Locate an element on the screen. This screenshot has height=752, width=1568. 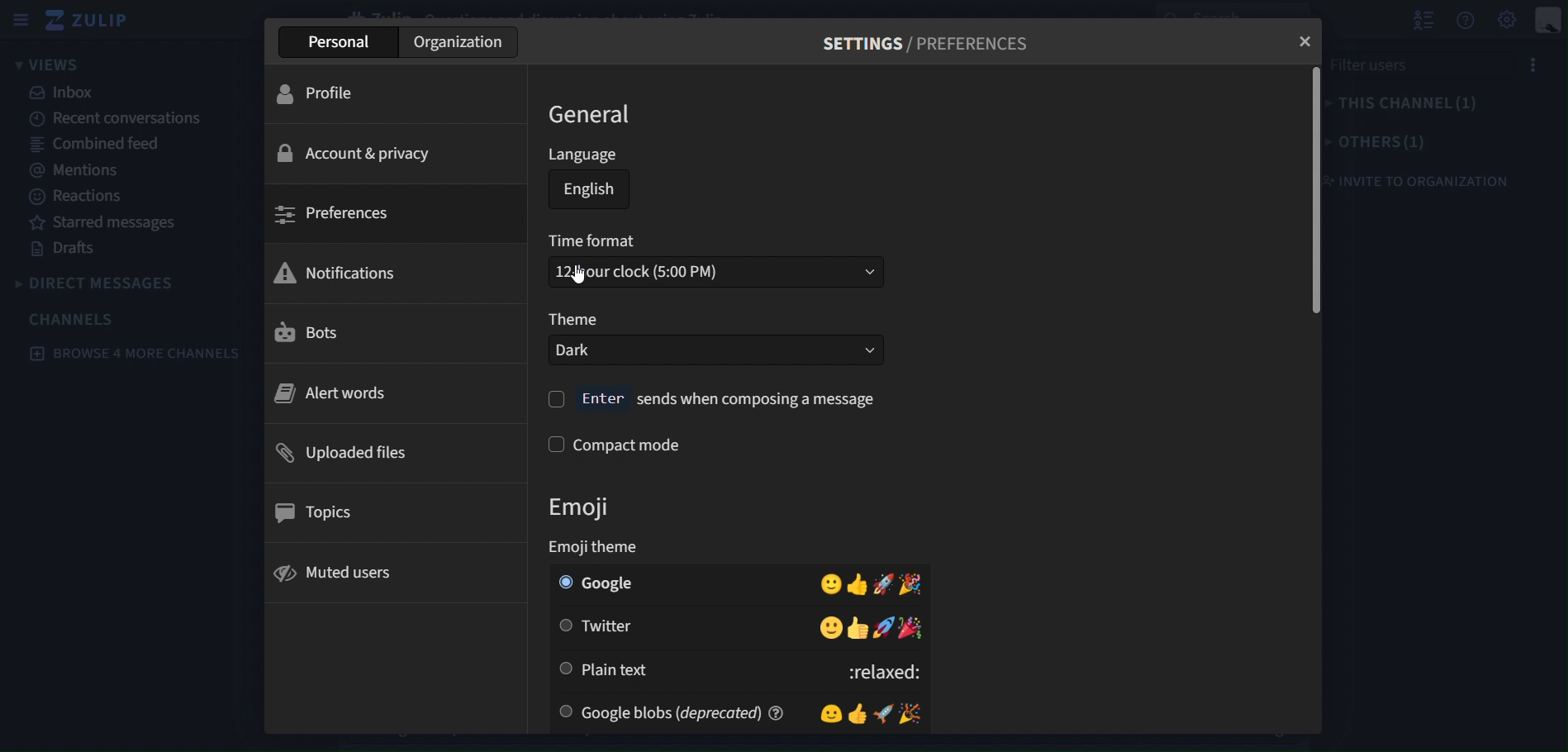
account & privacy is located at coordinates (378, 153).